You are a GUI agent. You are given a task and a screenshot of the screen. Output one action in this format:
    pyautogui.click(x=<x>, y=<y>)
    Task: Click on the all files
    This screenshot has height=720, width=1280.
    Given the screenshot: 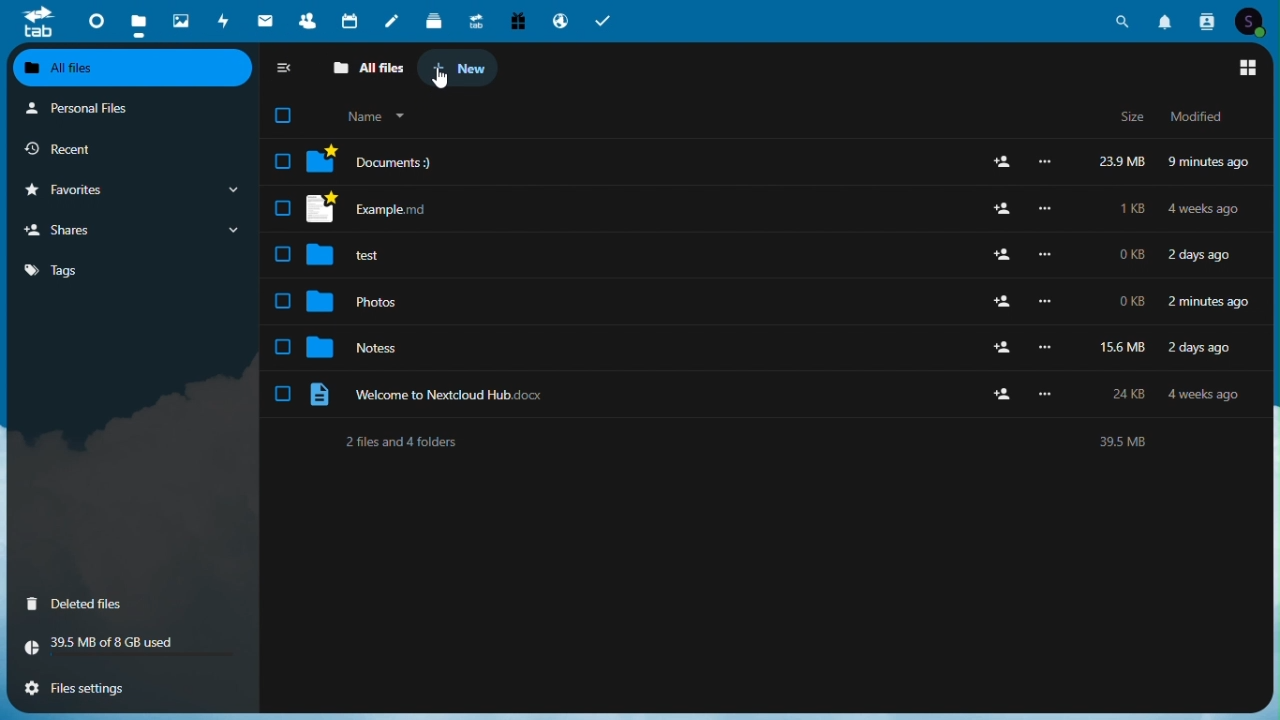 What is the action you would take?
    pyautogui.click(x=131, y=68)
    